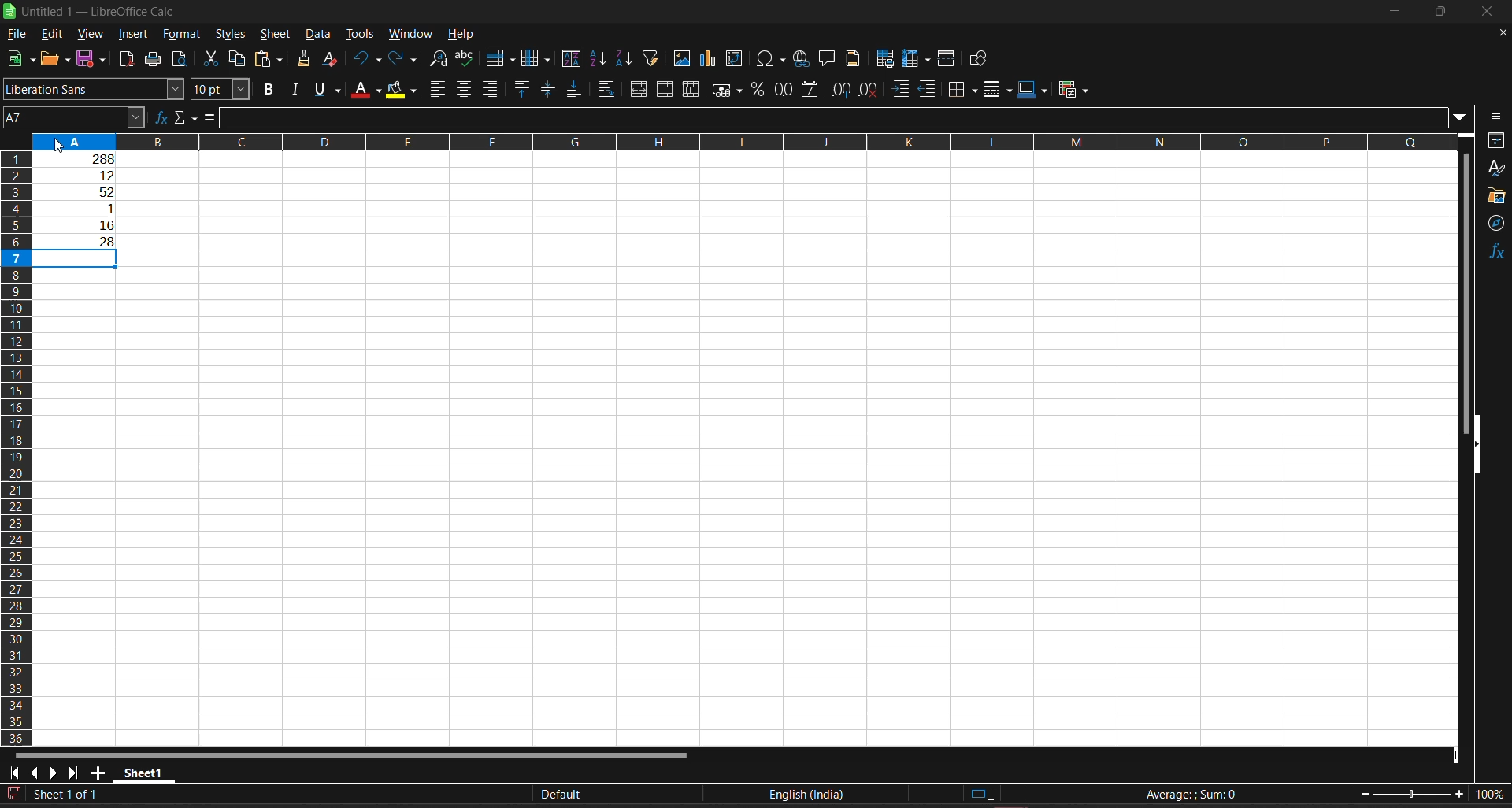 The image size is (1512, 808). Describe the element at coordinates (996, 90) in the screenshot. I see `border style` at that location.